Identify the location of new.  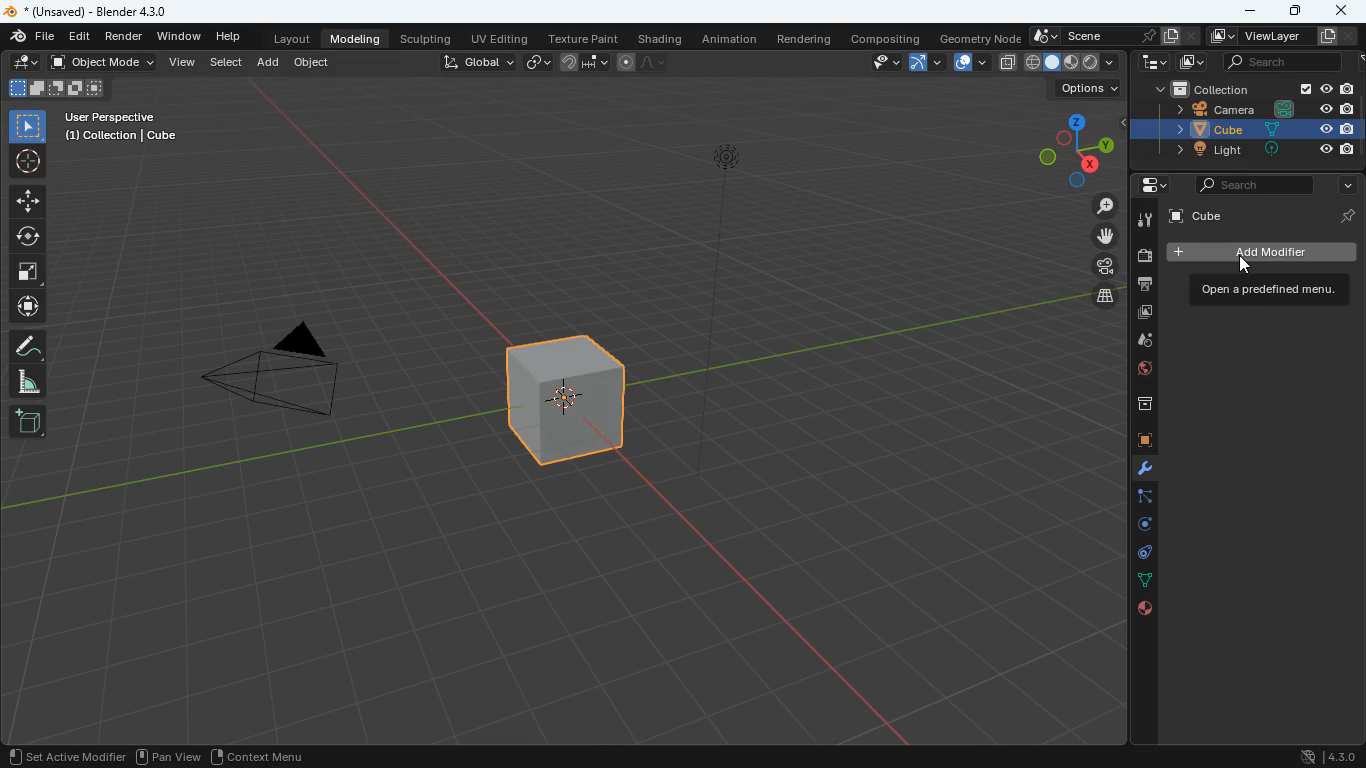
(30, 423).